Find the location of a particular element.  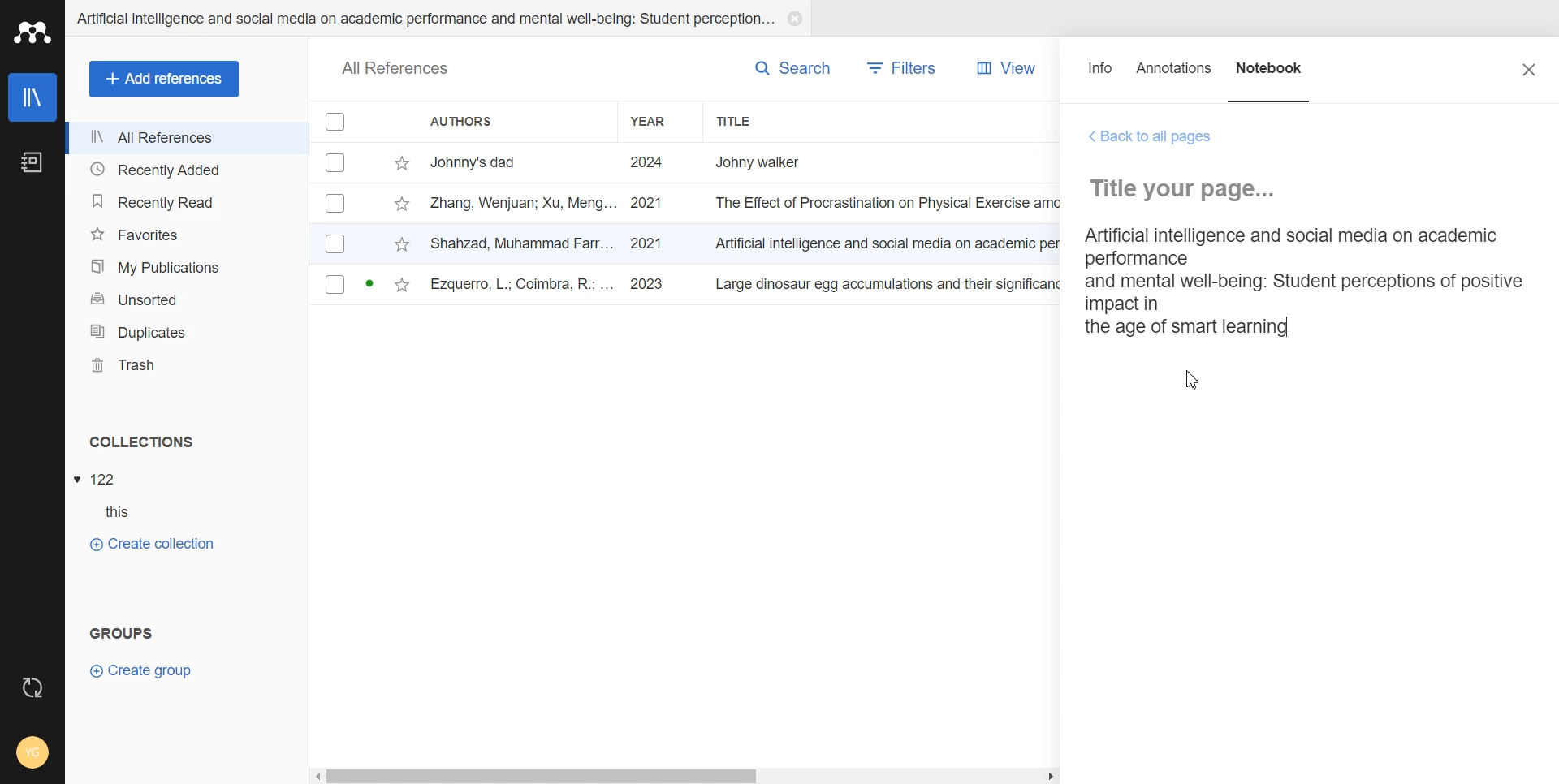

Close is located at coordinates (1529, 69).